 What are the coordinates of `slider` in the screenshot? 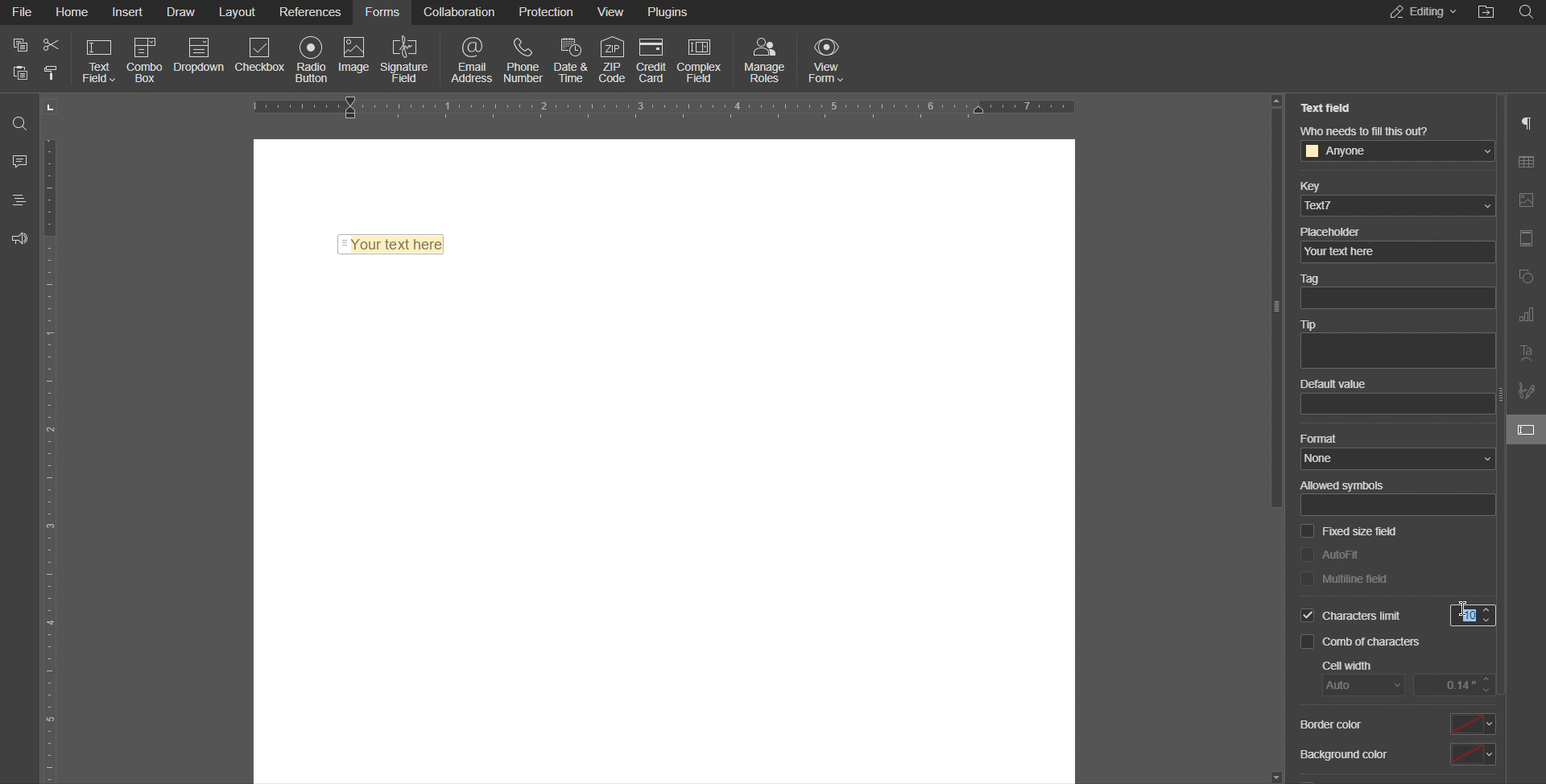 It's located at (1275, 312).